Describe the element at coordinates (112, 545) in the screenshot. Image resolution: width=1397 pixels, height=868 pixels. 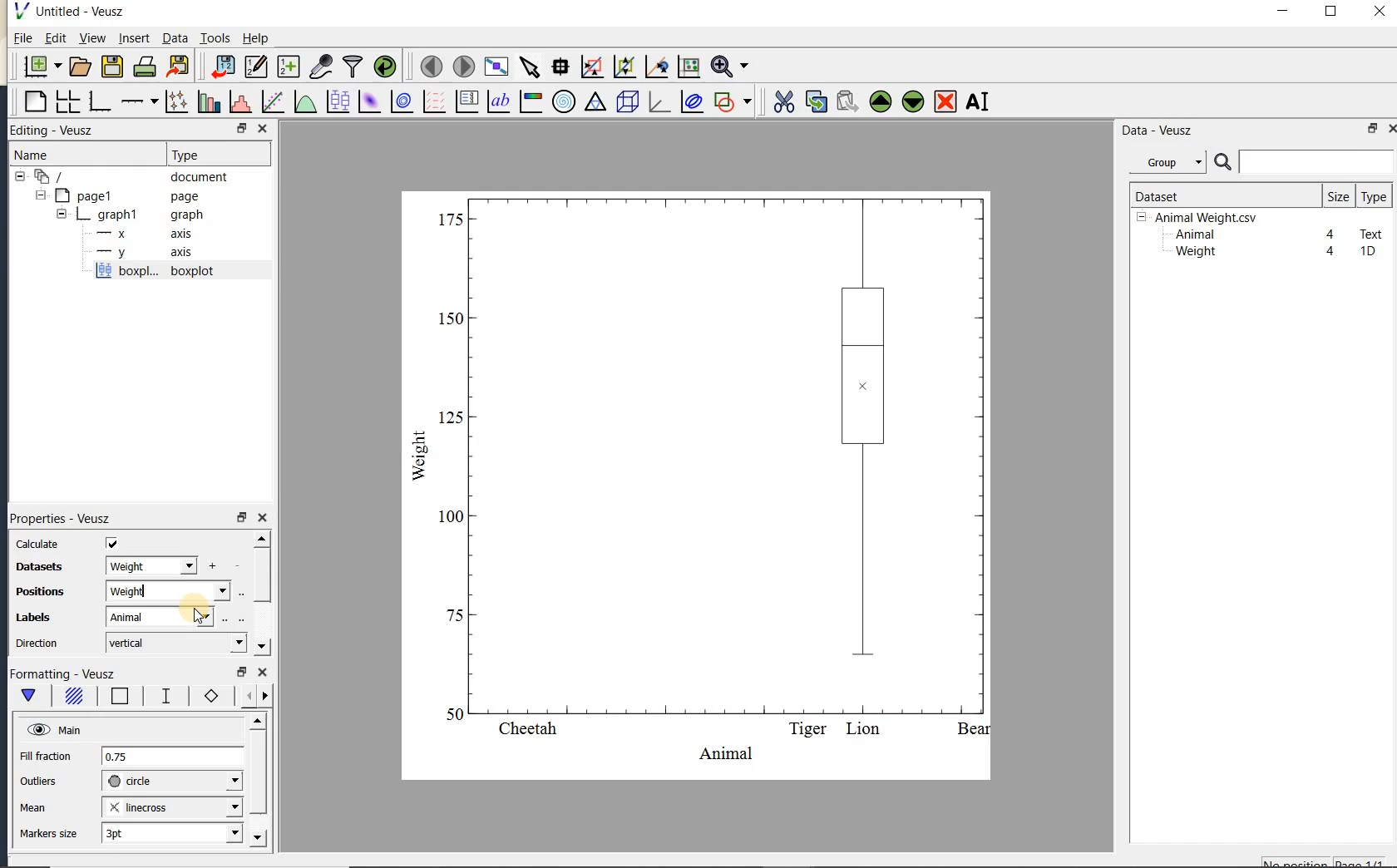
I see `check/uncheck` at that location.